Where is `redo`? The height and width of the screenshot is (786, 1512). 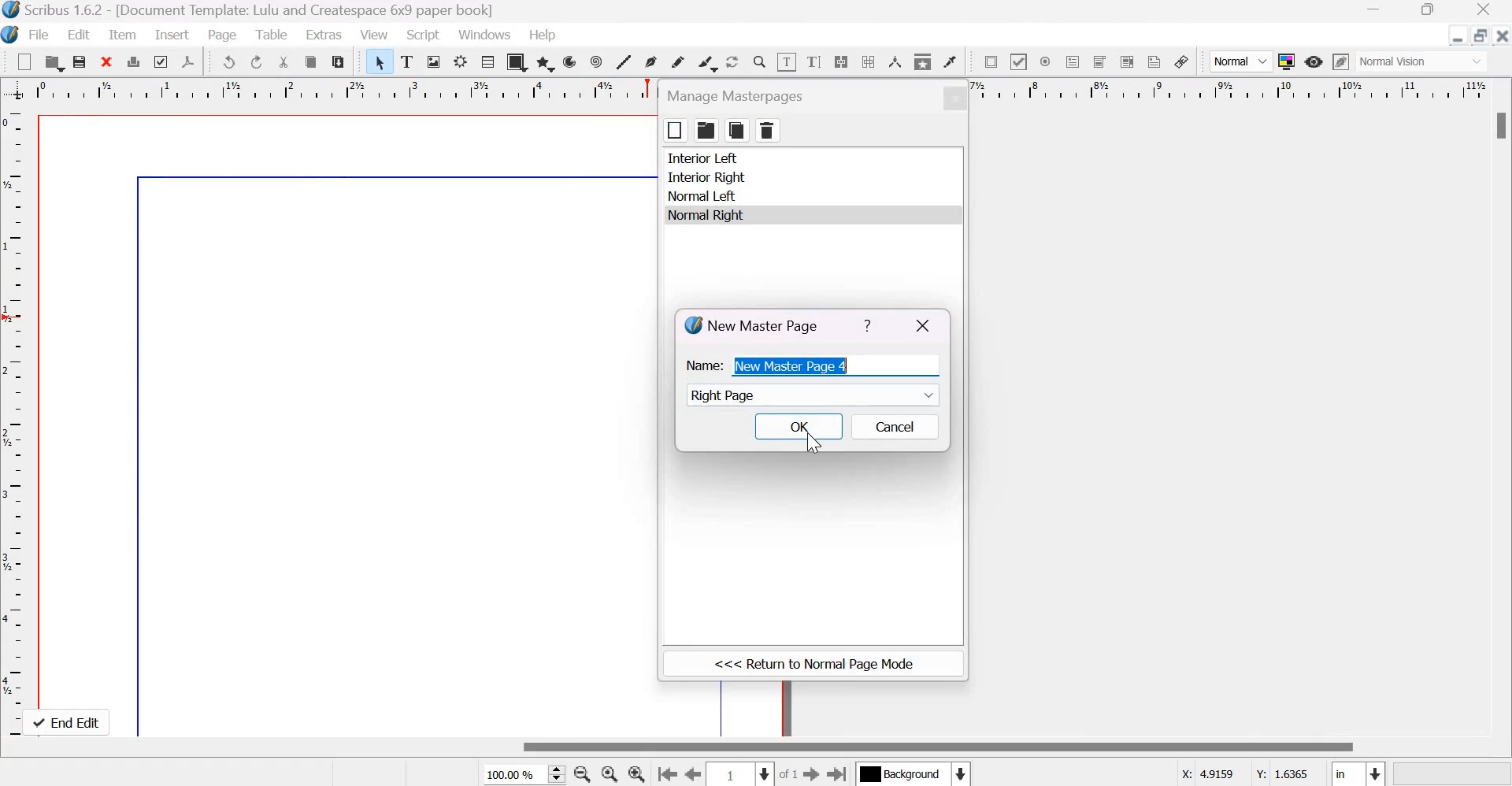 redo is located at coordinates (257, 61).